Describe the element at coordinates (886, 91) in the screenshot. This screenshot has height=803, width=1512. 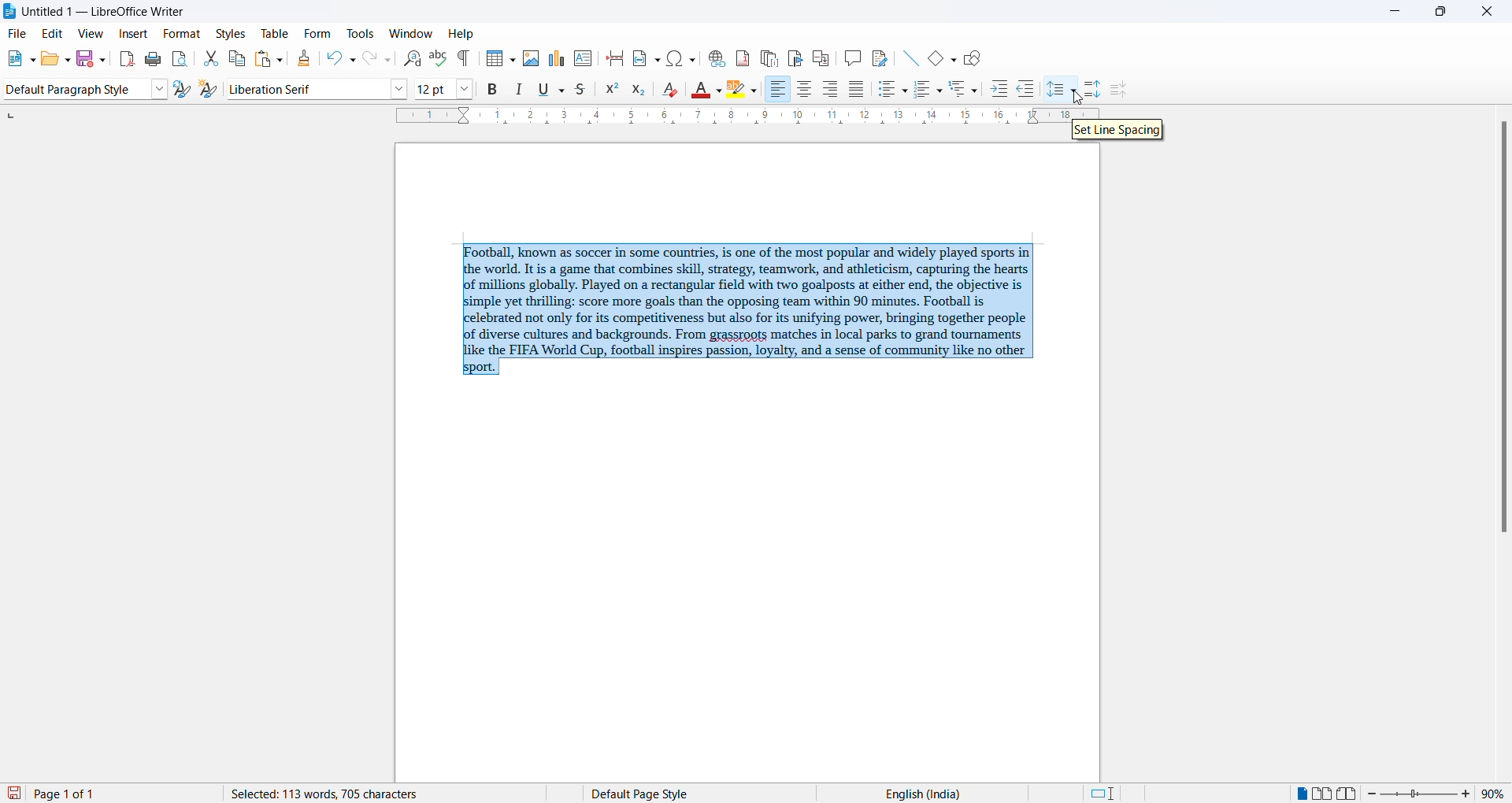
I see `toggle unordered list` at that location.